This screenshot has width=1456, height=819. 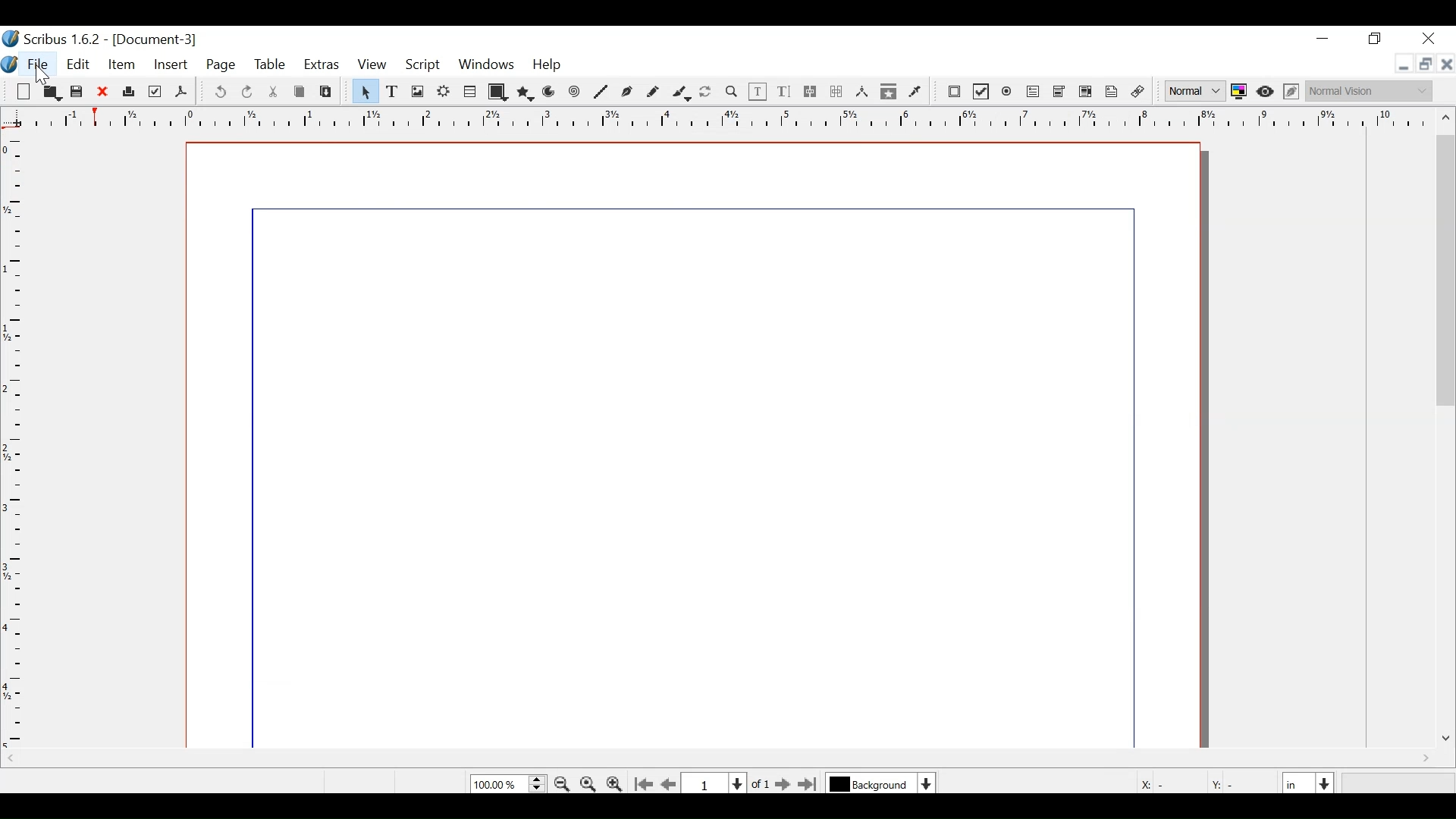 What do you see at coordinates (424, 67) in the screenshot?
I see `Script` at bounding box center [424, 67].